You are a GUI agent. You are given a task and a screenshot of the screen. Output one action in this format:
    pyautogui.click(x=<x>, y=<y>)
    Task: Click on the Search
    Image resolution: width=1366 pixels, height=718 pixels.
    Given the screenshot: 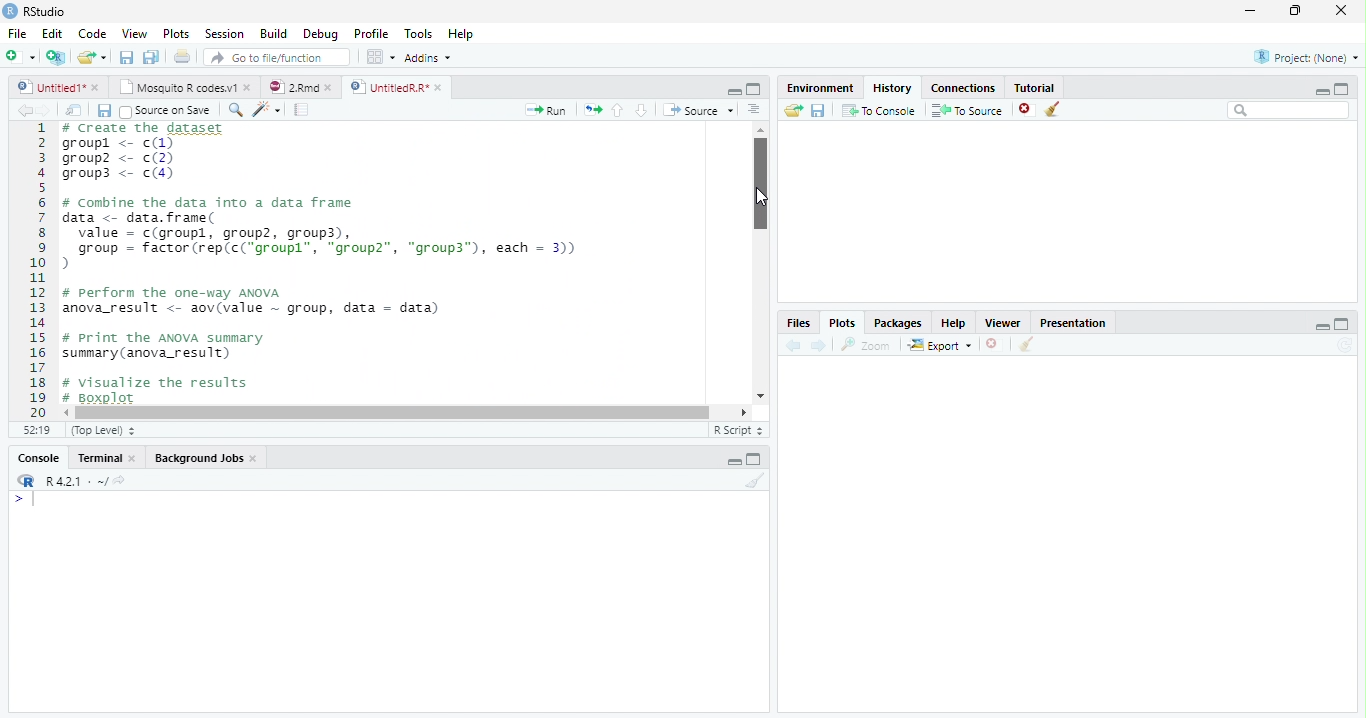 What is the action you would take?
    pyautogui.click(x=1289, y=111)
    